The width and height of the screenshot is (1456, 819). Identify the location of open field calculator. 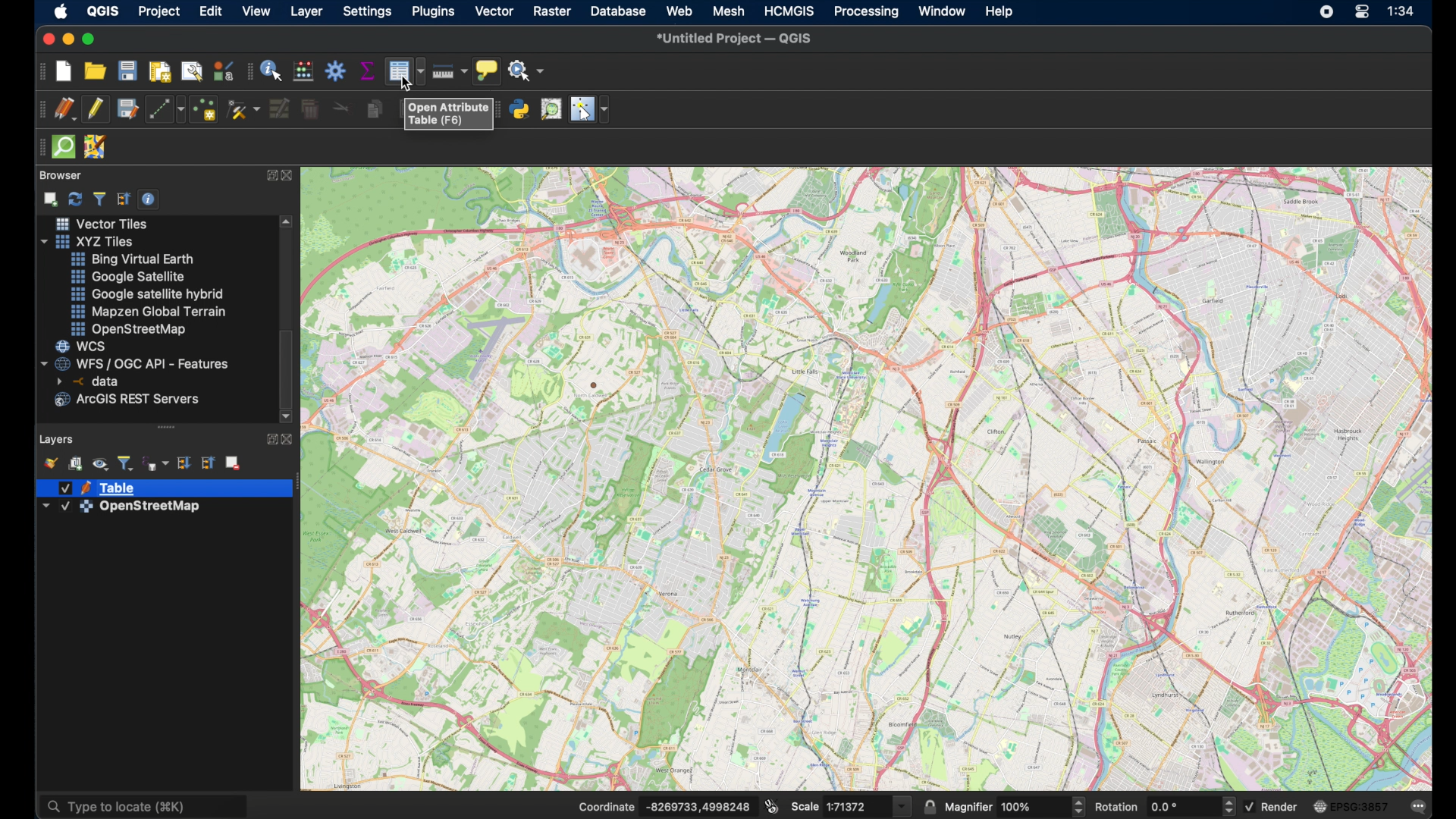
(303, 69).